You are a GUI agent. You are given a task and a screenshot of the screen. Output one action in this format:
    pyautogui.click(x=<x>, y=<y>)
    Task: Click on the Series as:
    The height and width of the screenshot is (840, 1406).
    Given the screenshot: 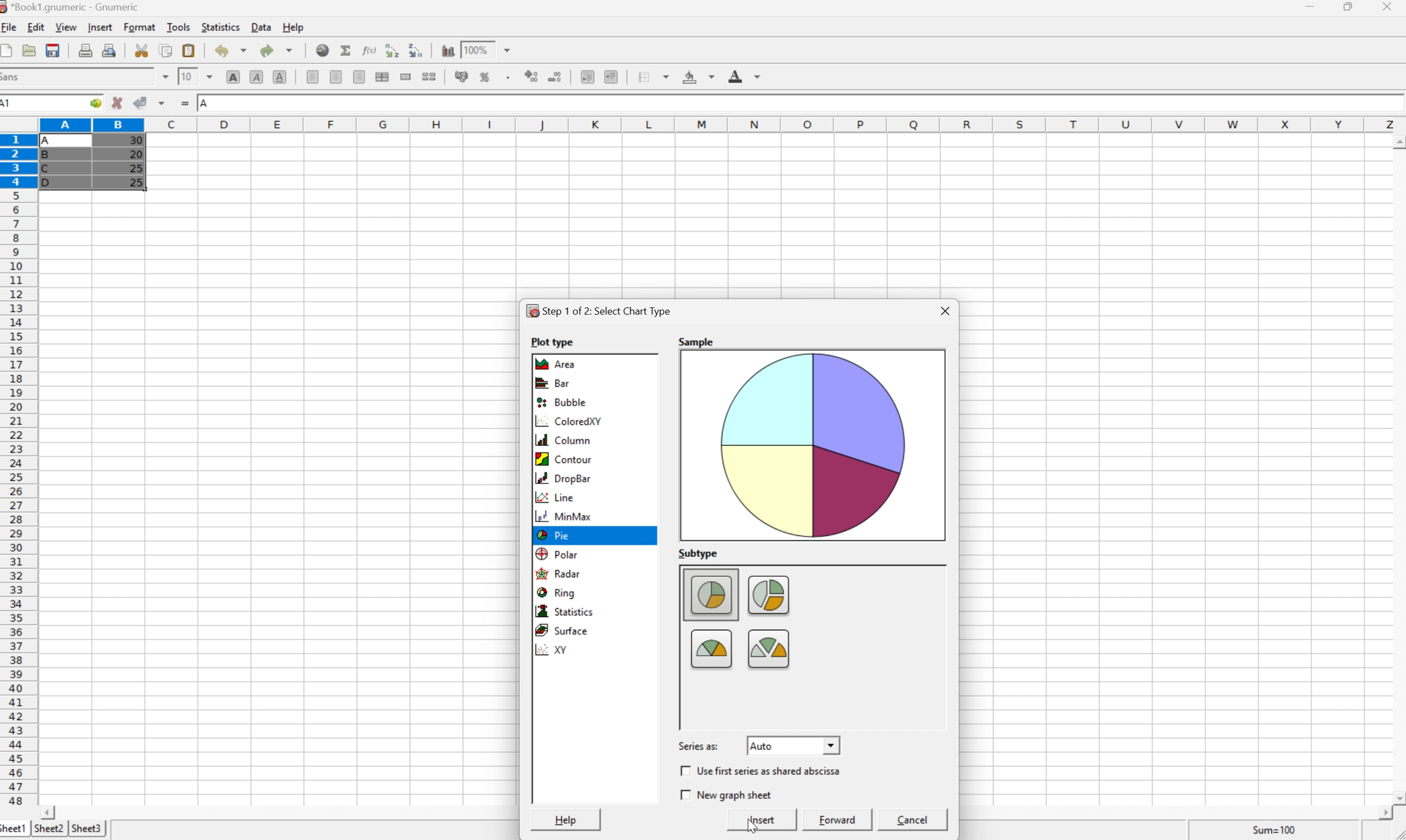 What is the action you would take?
    pyautogui.click(x=699, y=746)
    